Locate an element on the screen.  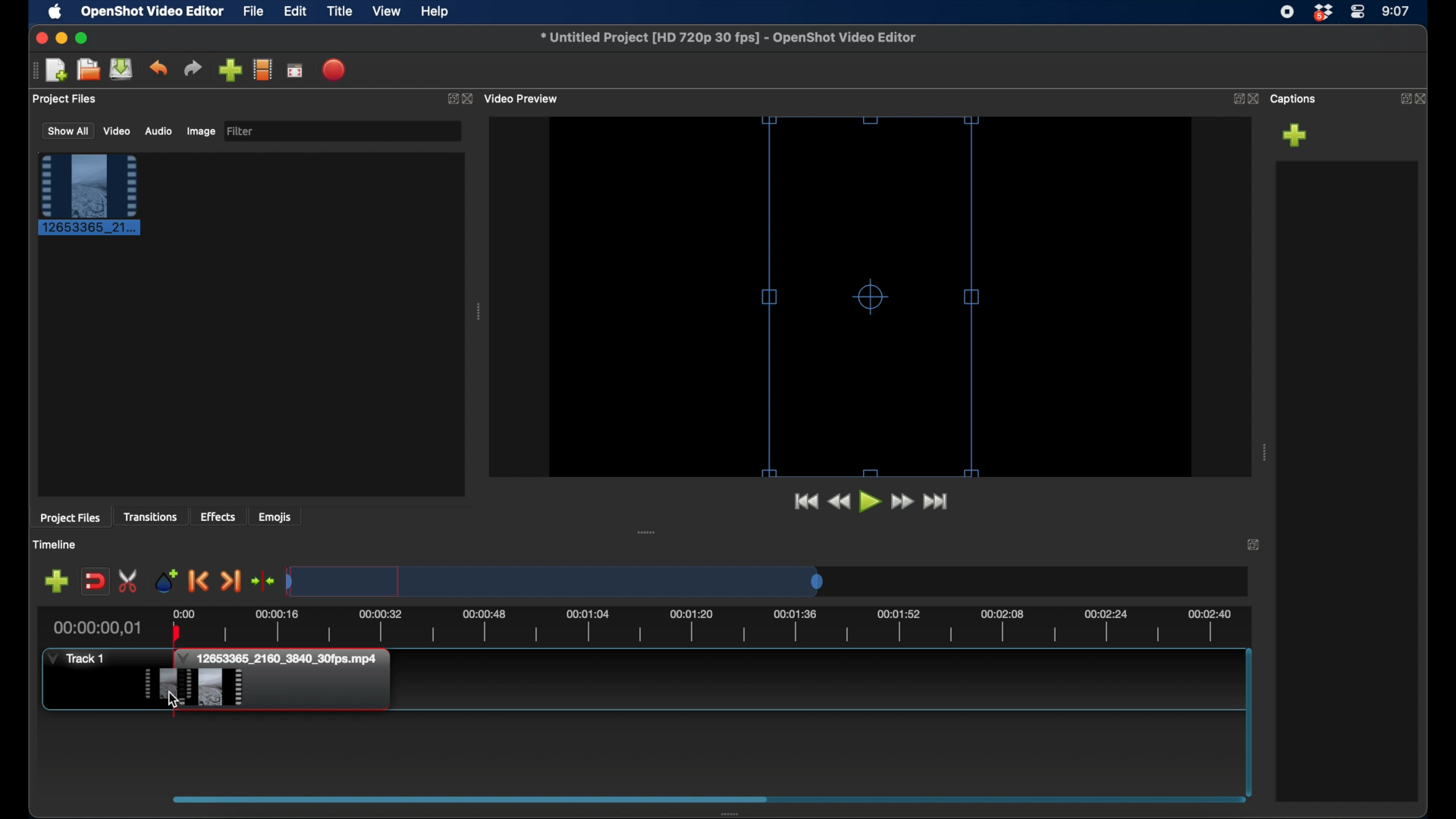
timeline is located at coordinates (57, 544).